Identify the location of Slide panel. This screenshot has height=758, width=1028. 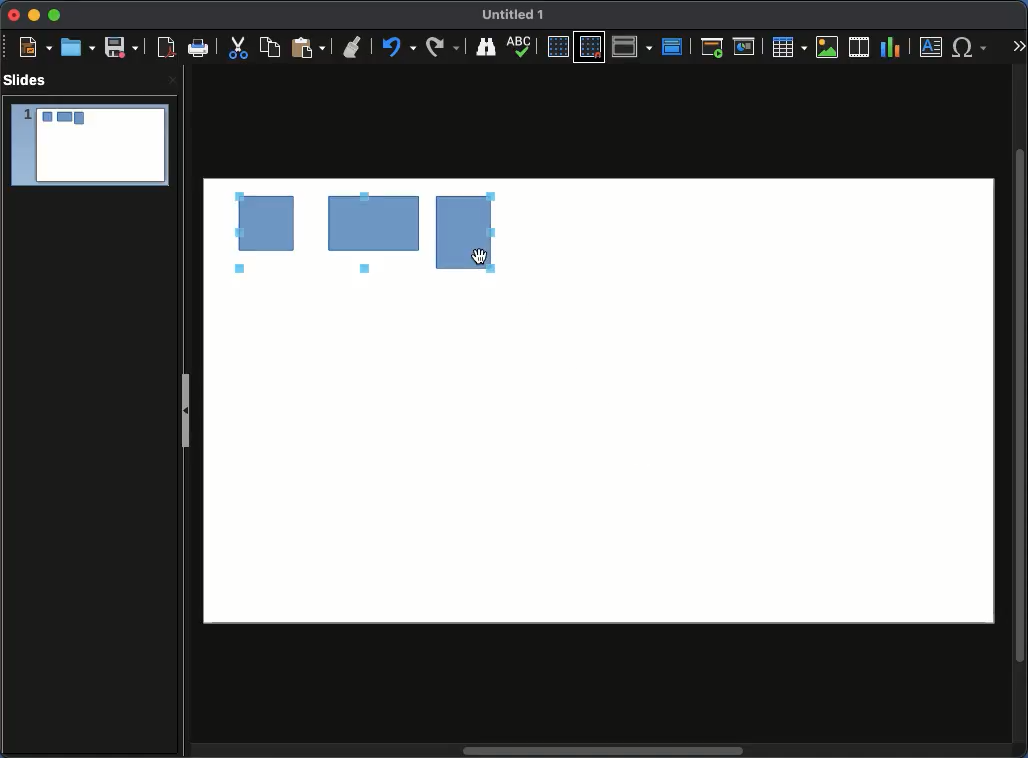
(186, 414).